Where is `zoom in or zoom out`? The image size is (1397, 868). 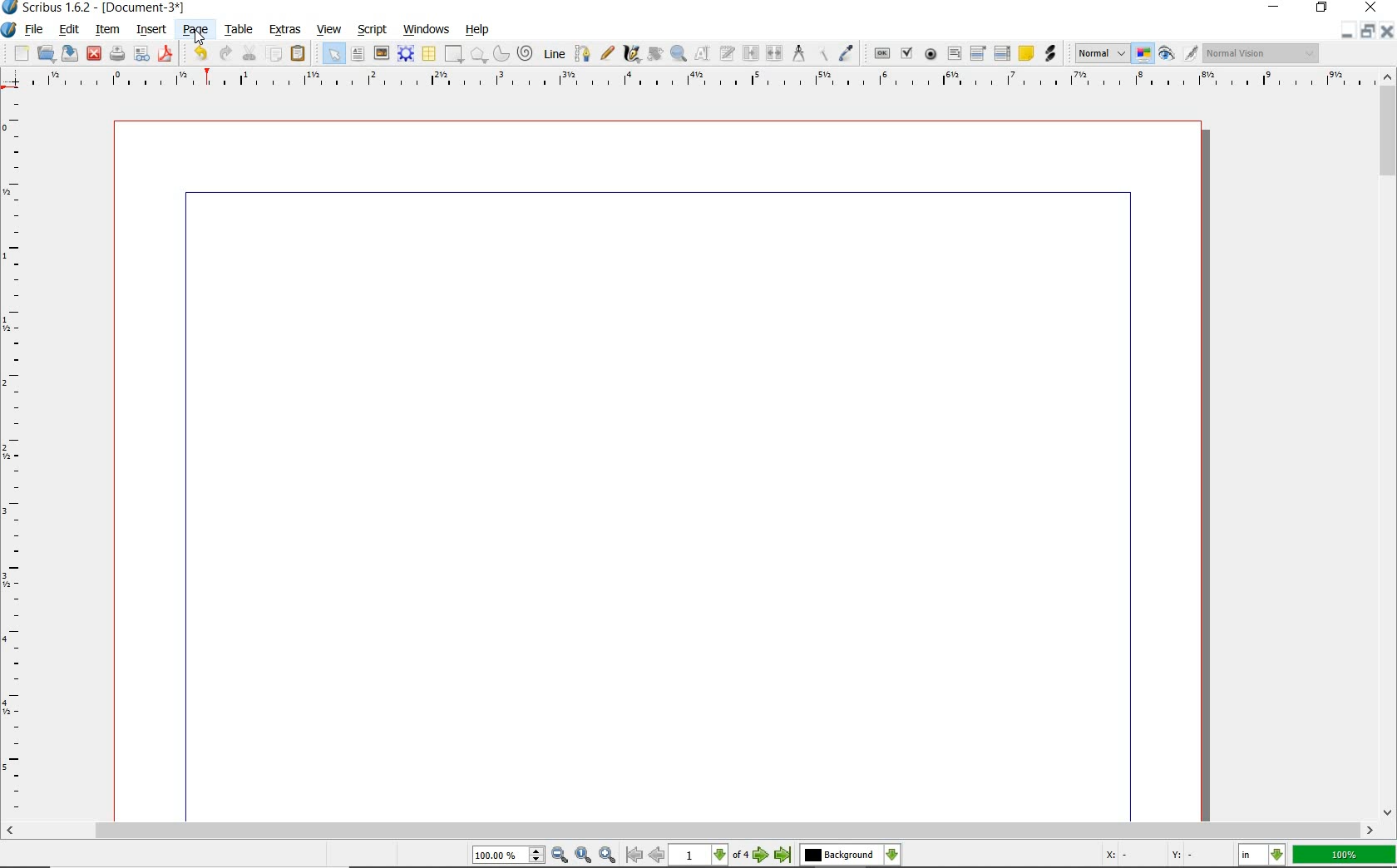 zoom in or zoom out is located at coordinates (678, 54).